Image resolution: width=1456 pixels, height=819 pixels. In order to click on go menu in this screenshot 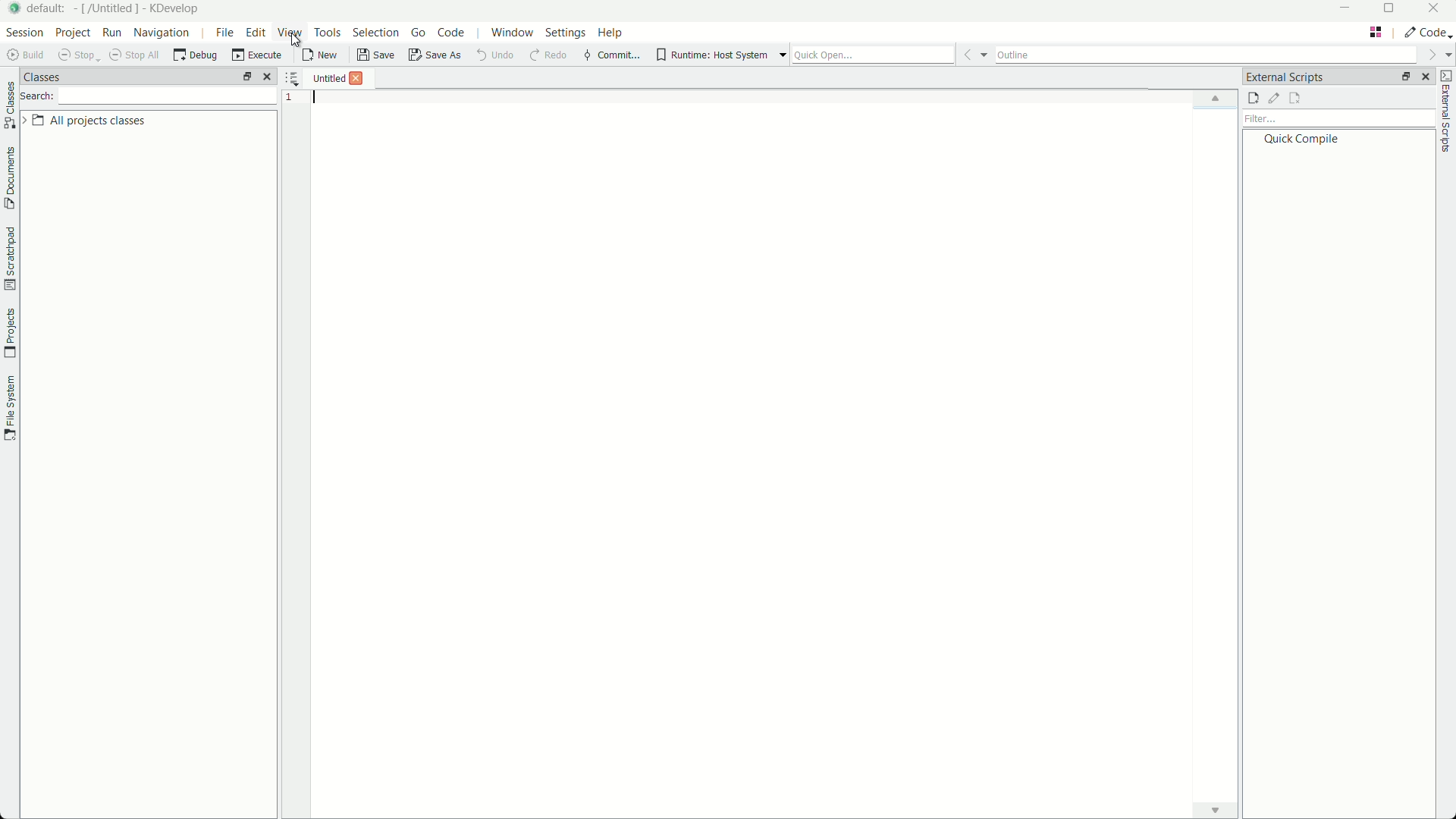, I will do `click(417, 32)`.